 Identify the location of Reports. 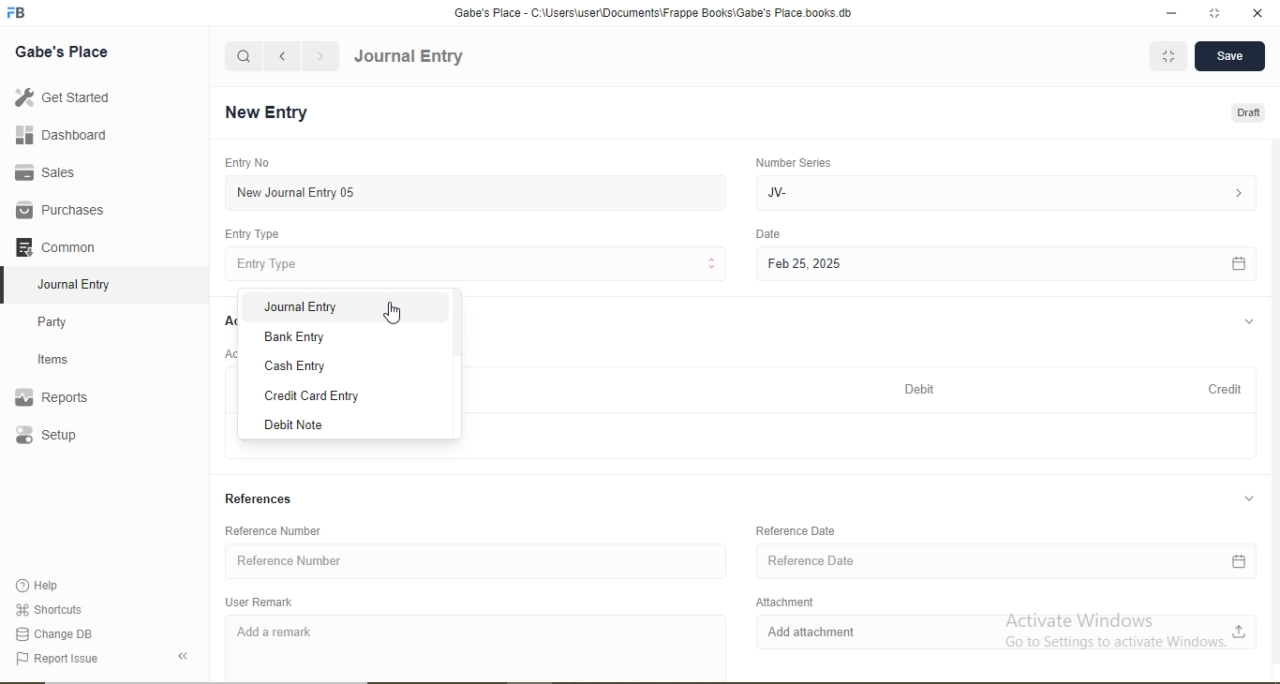
(61, 398).